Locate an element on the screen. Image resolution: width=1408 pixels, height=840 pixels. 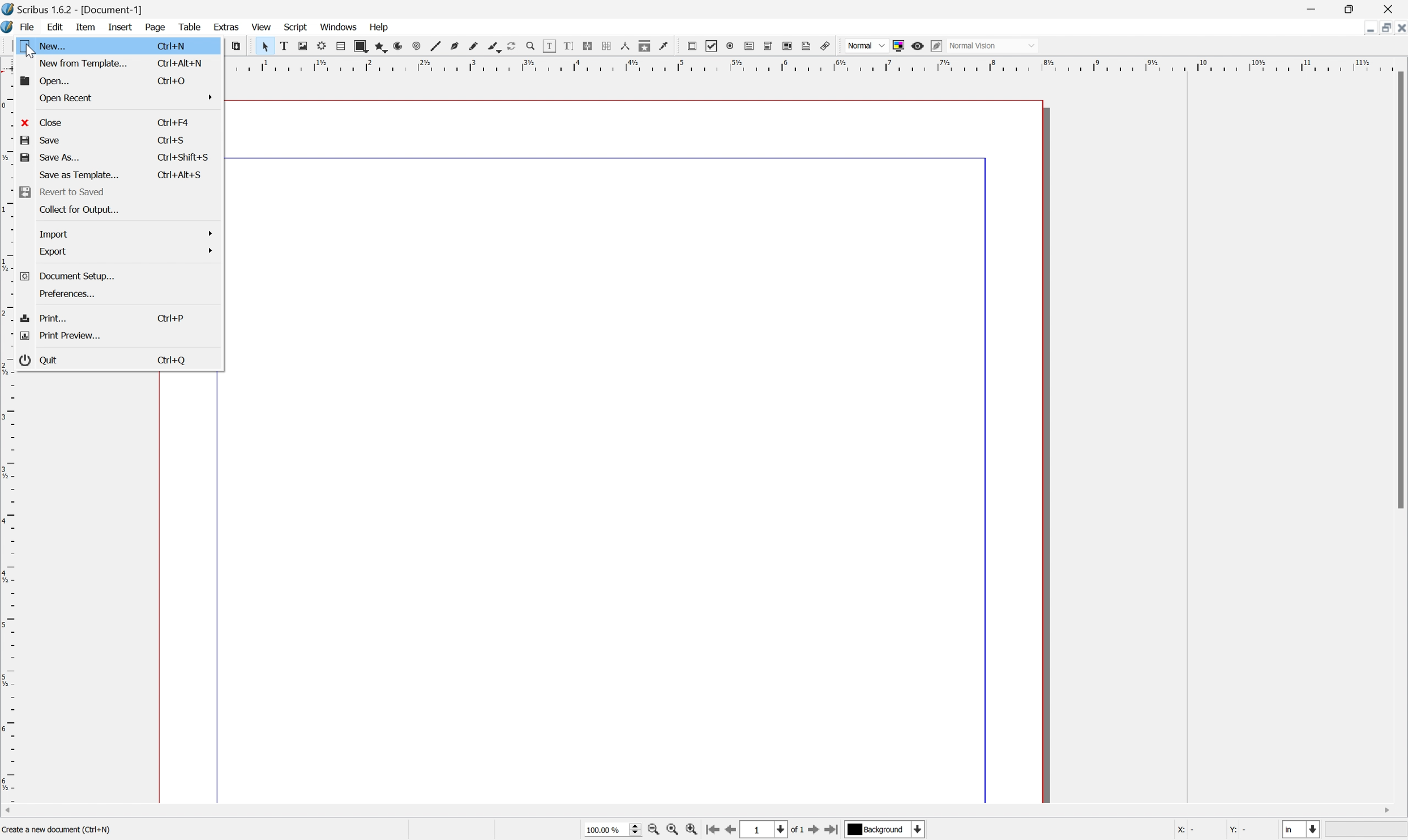
Create a new document (Ctrl+N) is located at coordinates (56, 832).